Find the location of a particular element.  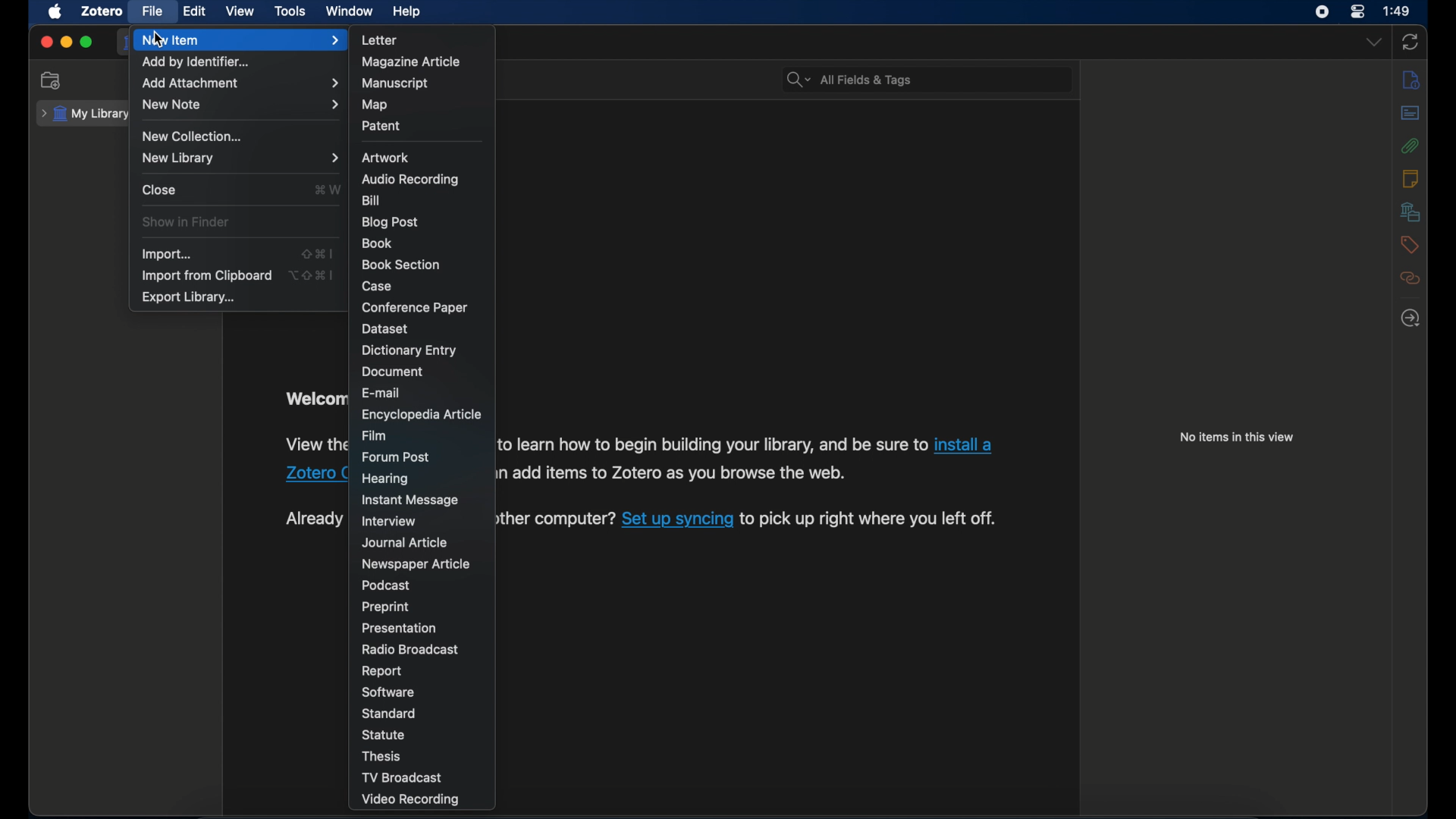

shift + command + I is located at coordinates (317, 254).